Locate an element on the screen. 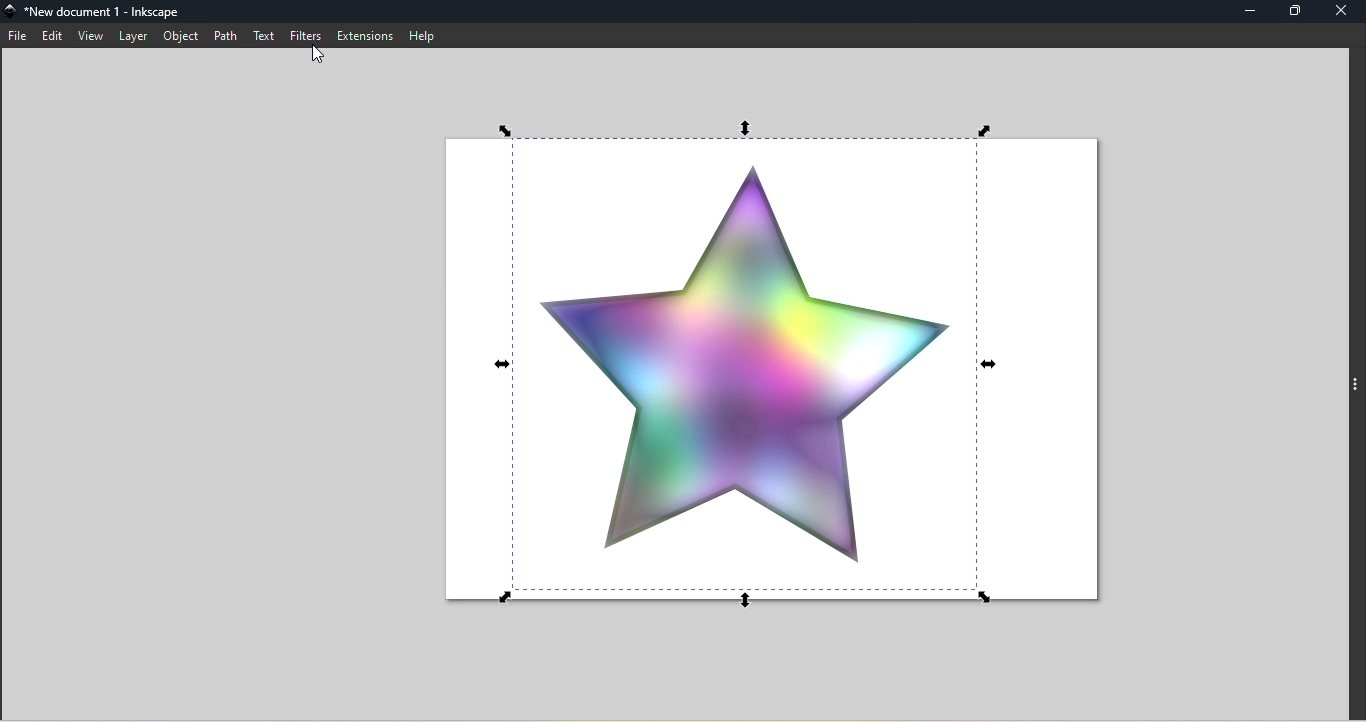 Image resolution: width=1366 pixels, height=722 pixels. Object is located at coordinates (180, 37).